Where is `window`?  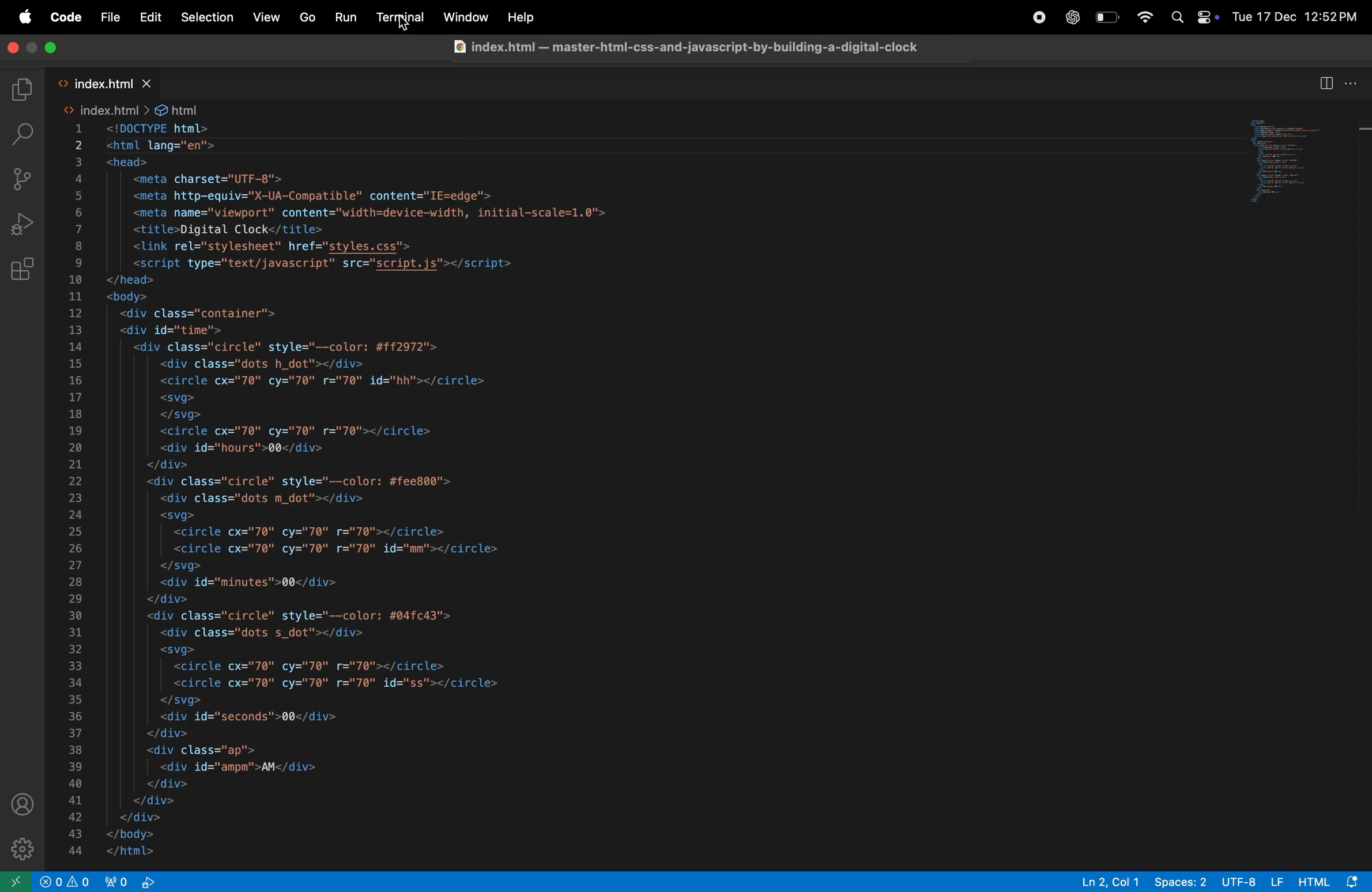
window is located at coordinates (467, 16).